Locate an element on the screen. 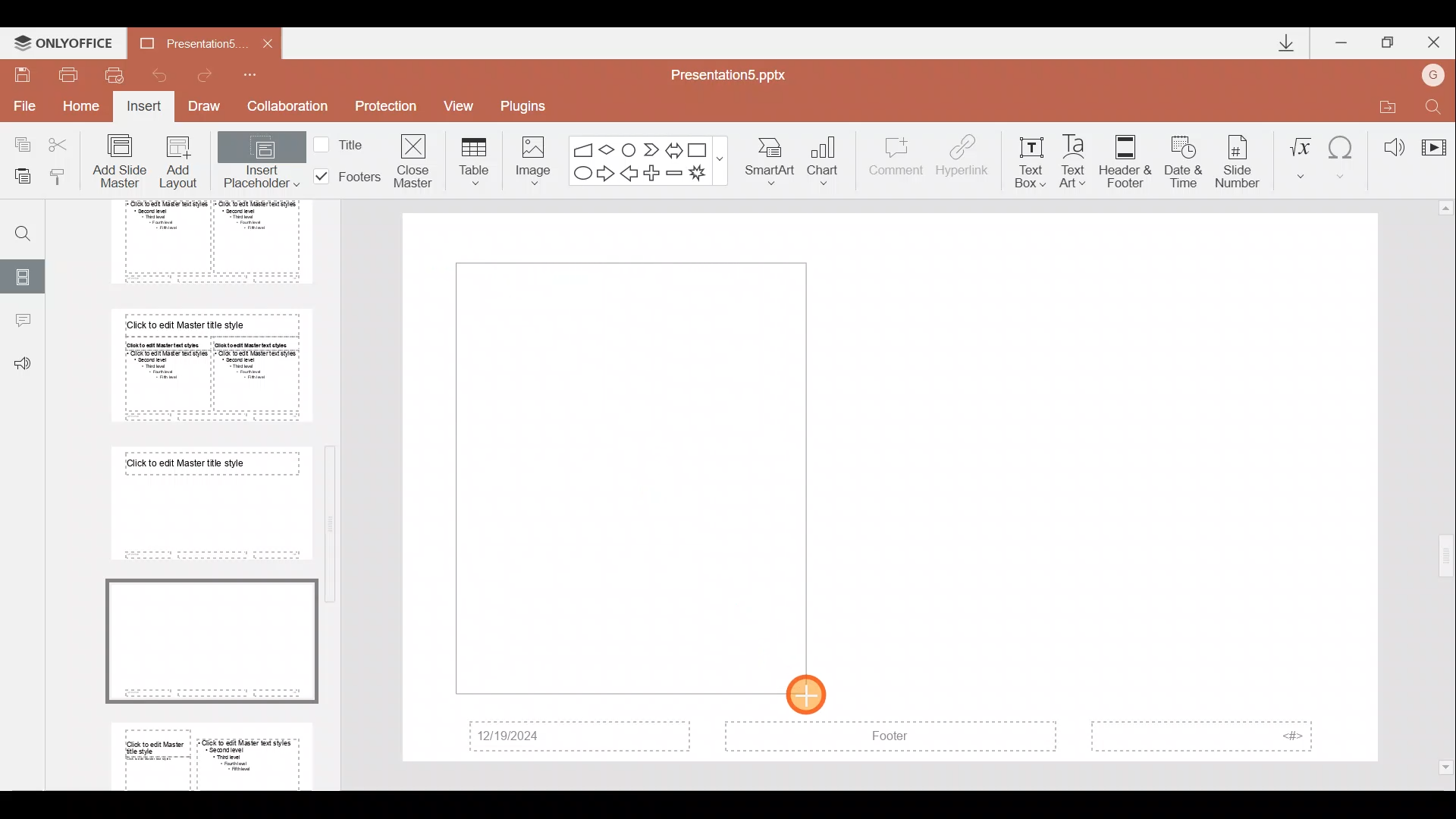  Close masters is located at coordinates (415, 160).